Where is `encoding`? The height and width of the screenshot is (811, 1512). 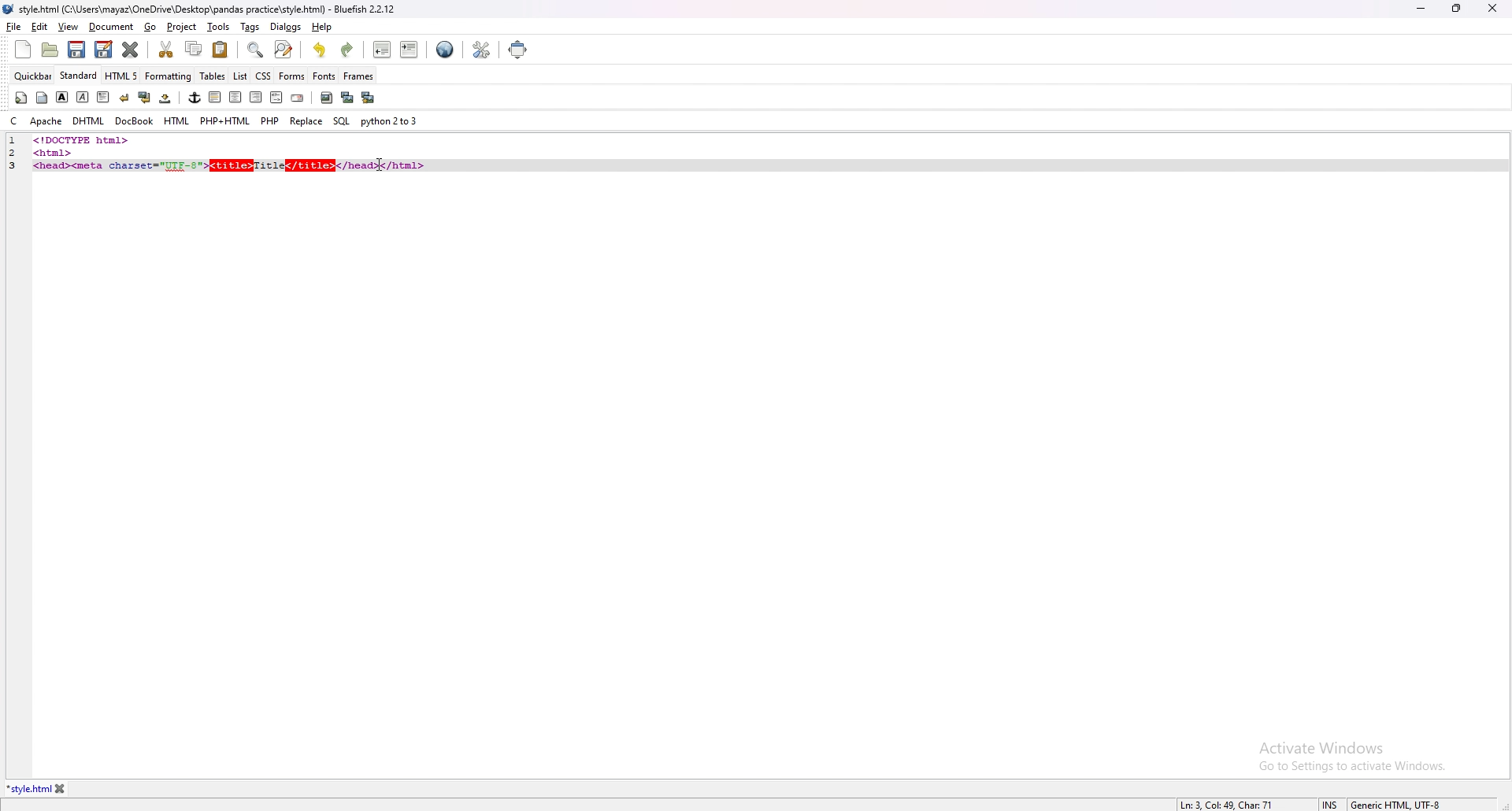 encoding is located at coordinates (1395, 803).